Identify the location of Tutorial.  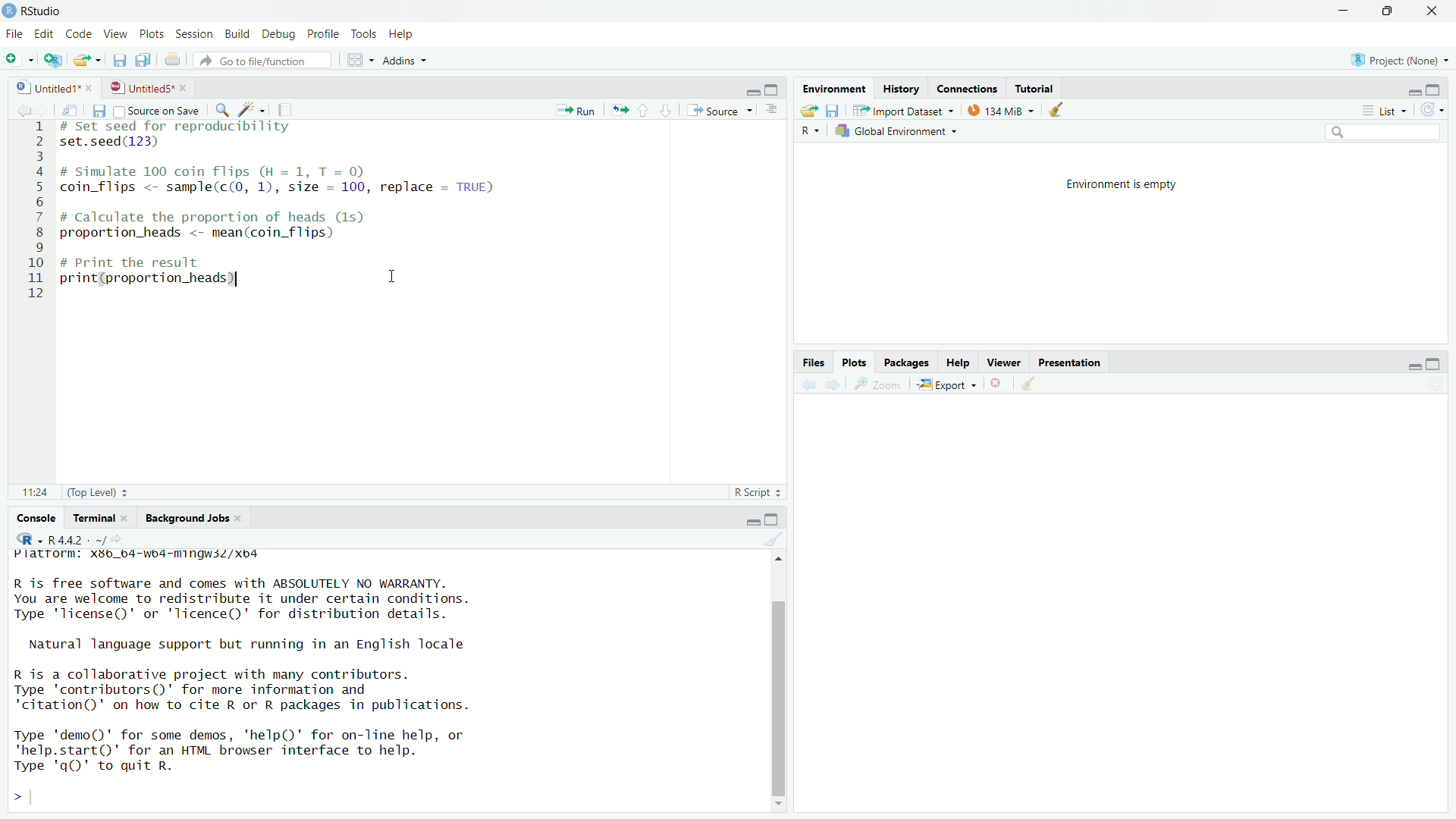
(1034, 86).